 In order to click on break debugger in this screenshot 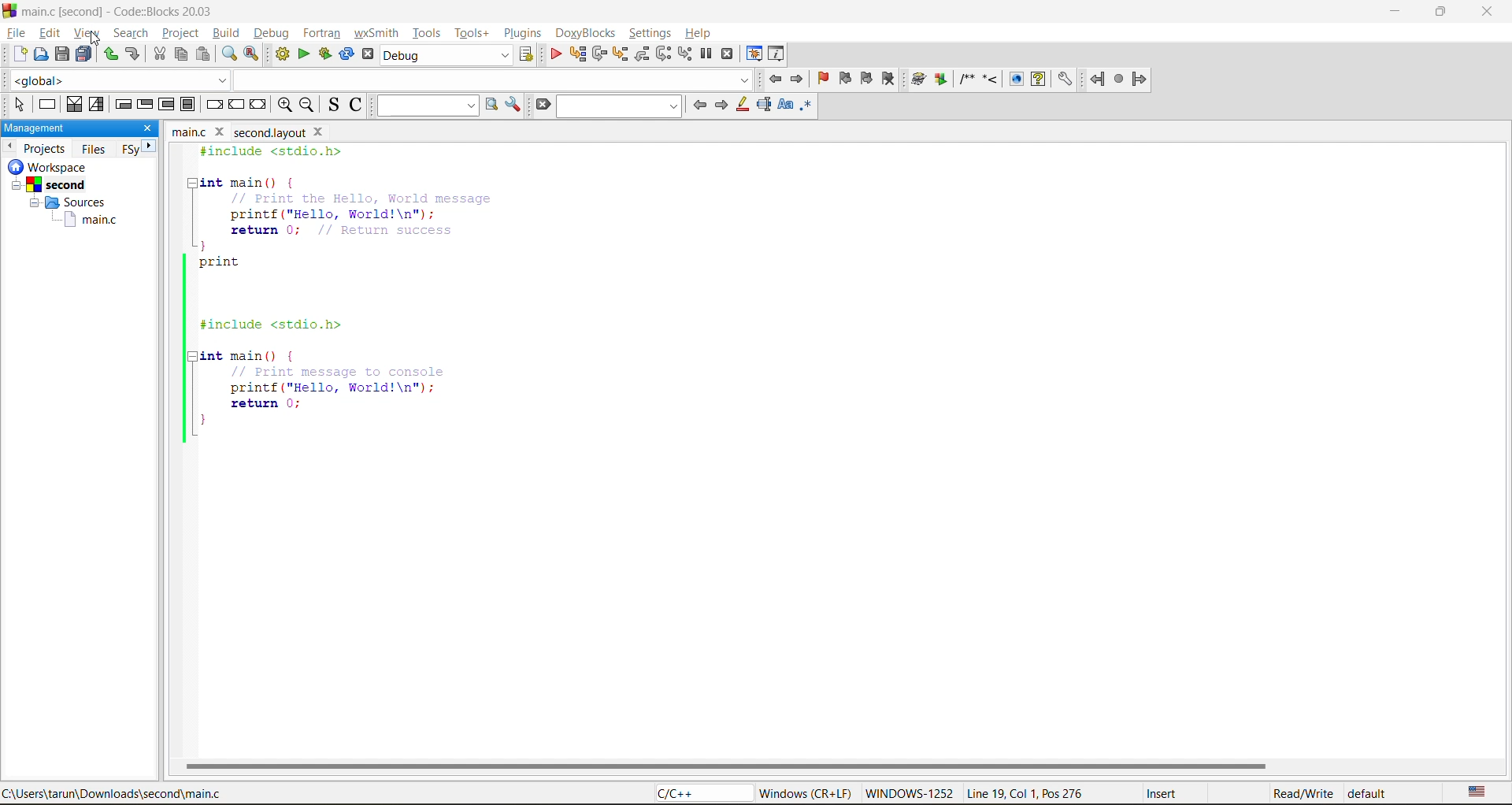, I will do `click(707, 53)`.